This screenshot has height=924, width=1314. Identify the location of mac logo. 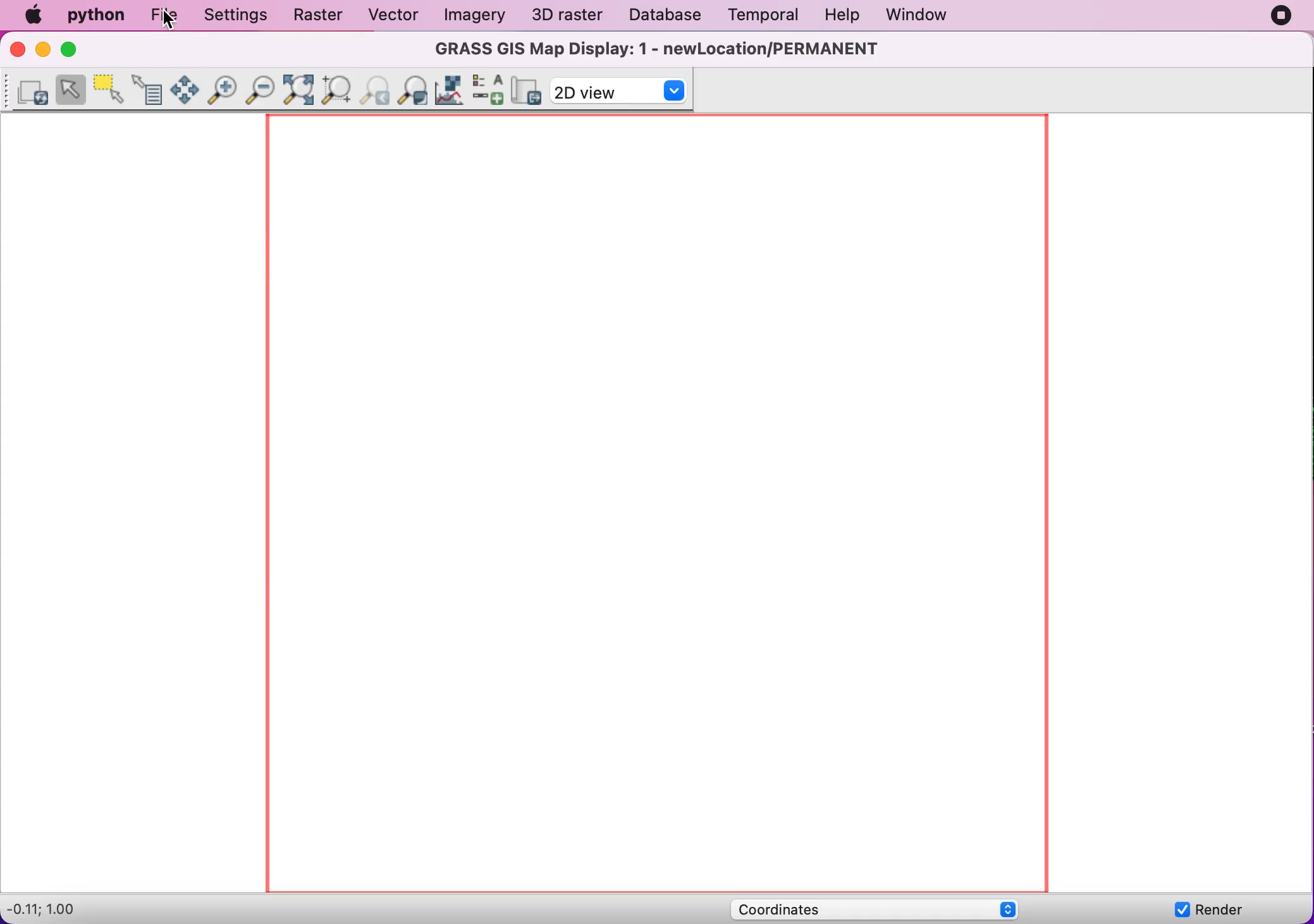
(35, 17).